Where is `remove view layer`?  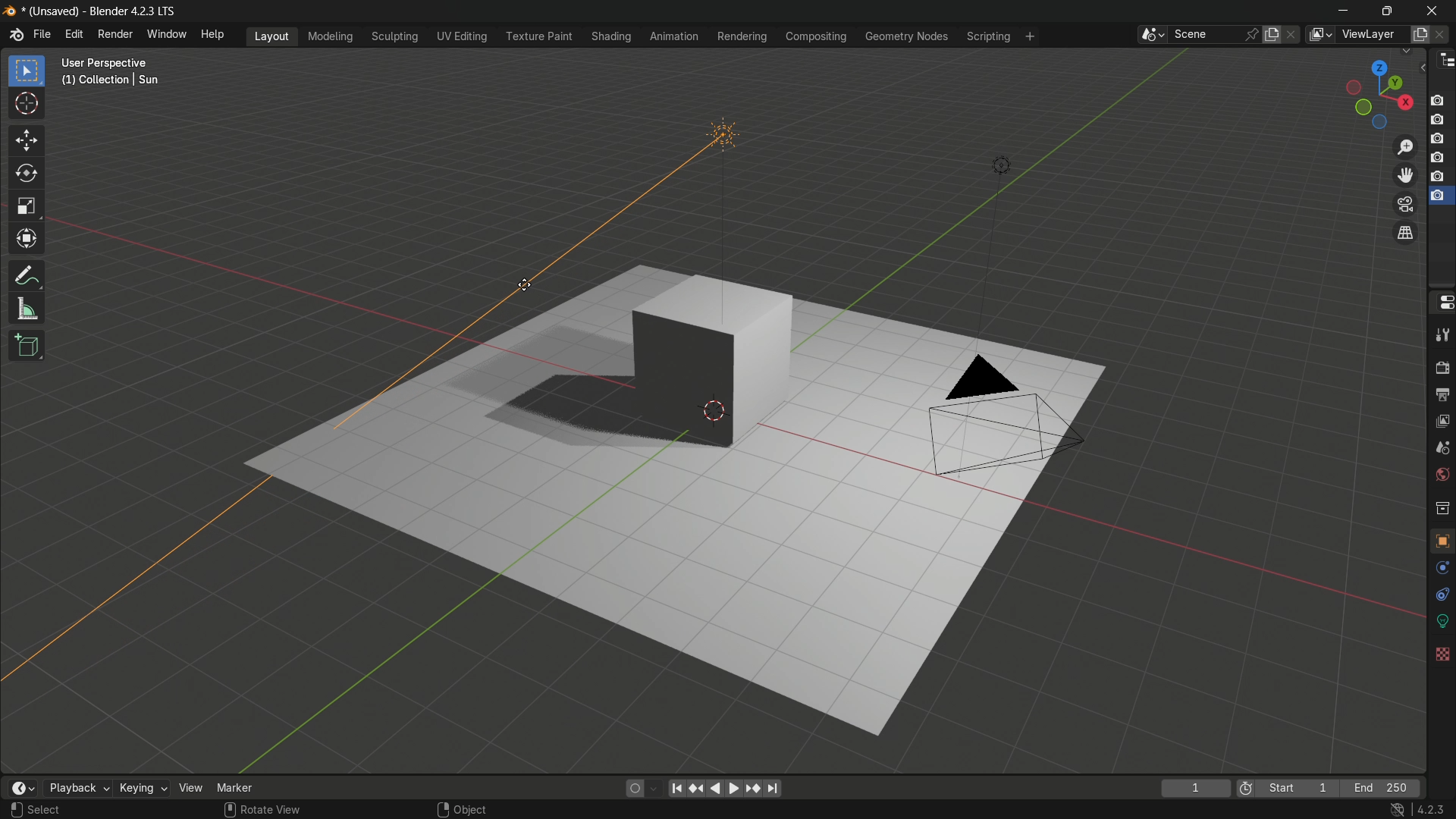 remove view layer is located at coordinates (1444, 34).